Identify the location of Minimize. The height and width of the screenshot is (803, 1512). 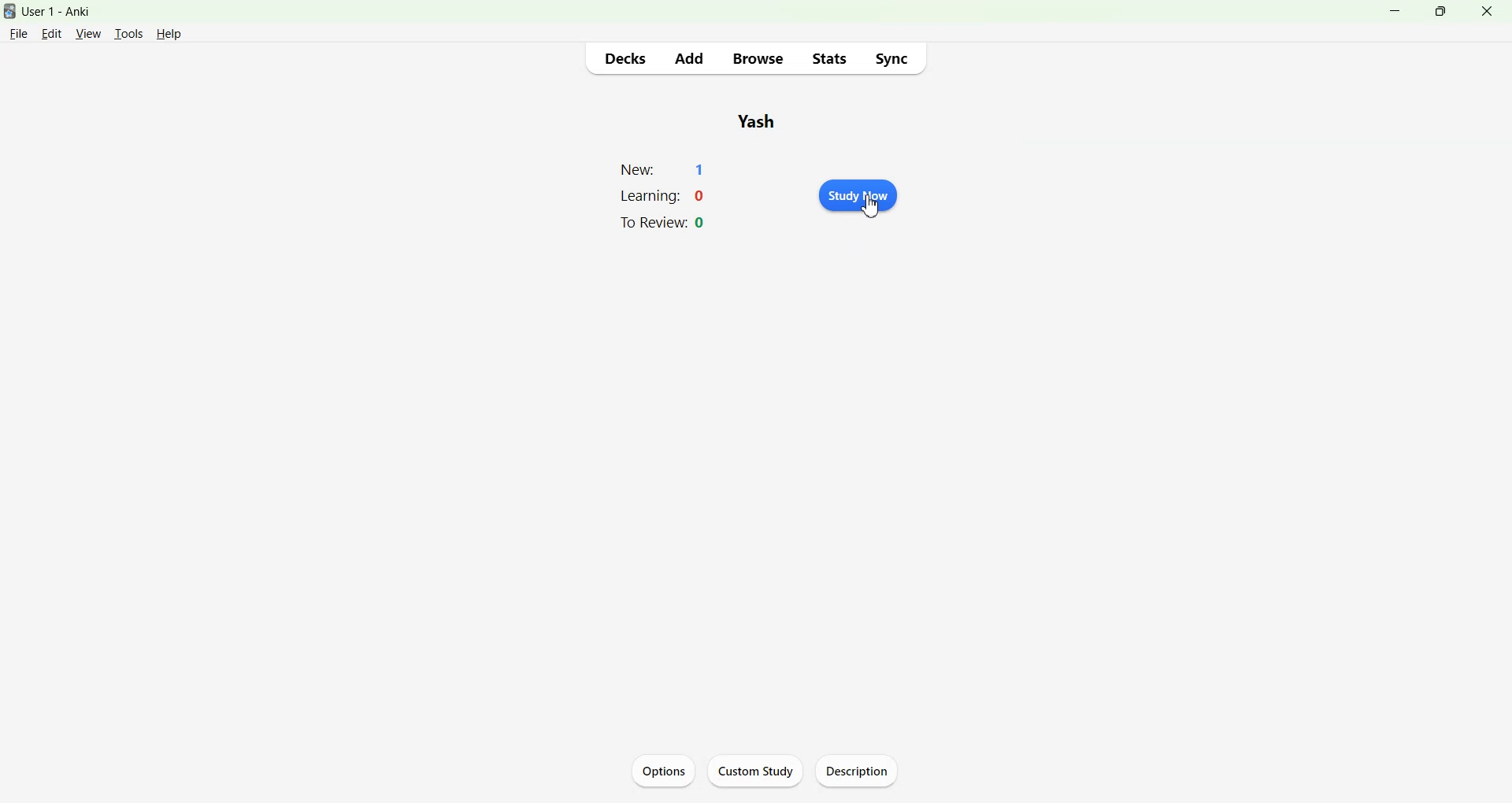
(1397, 11).